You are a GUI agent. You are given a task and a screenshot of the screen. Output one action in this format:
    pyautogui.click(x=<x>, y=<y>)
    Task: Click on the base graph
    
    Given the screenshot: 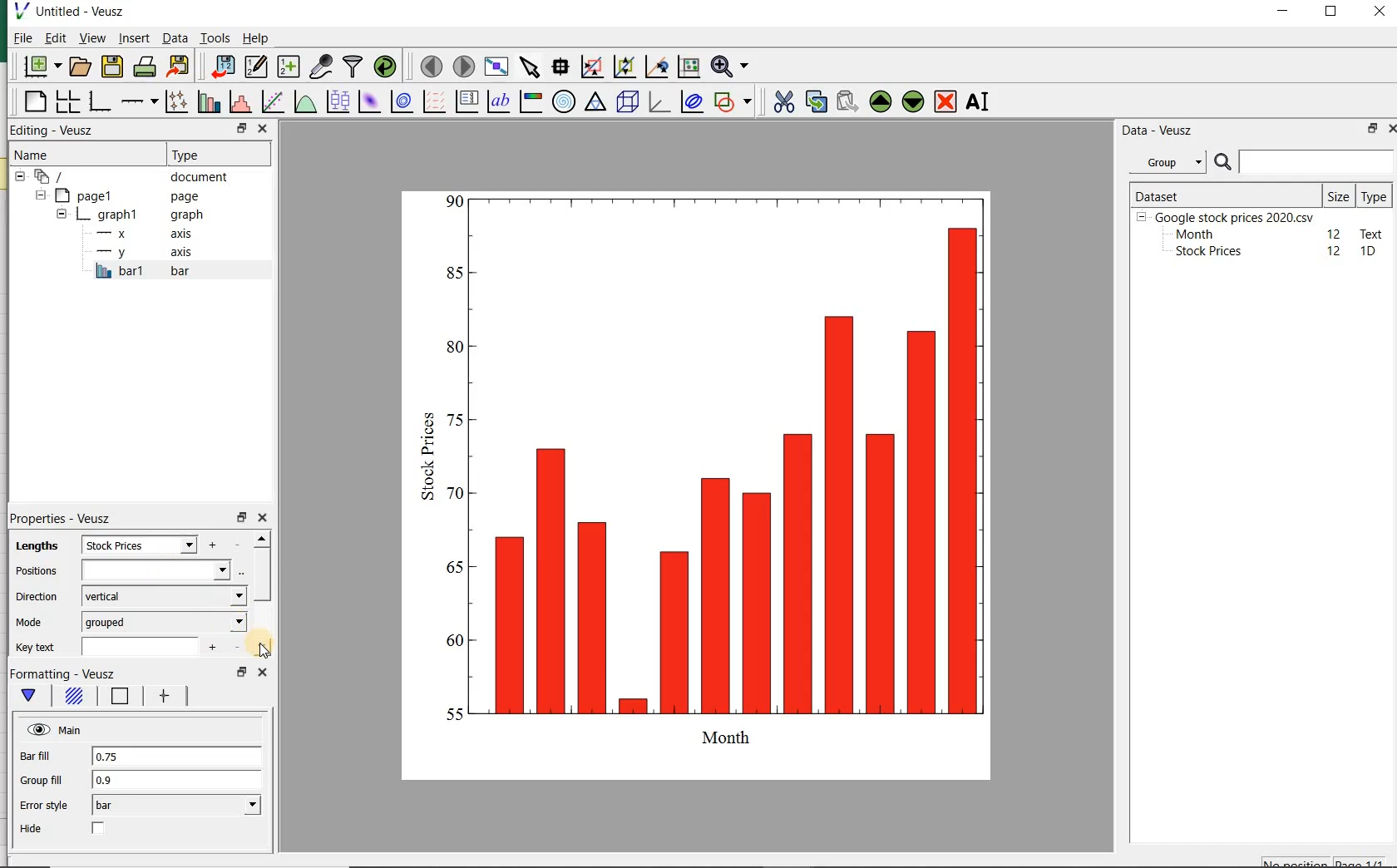 What is the action you would take?
    pyautogui.click(x=99, y=102)
    